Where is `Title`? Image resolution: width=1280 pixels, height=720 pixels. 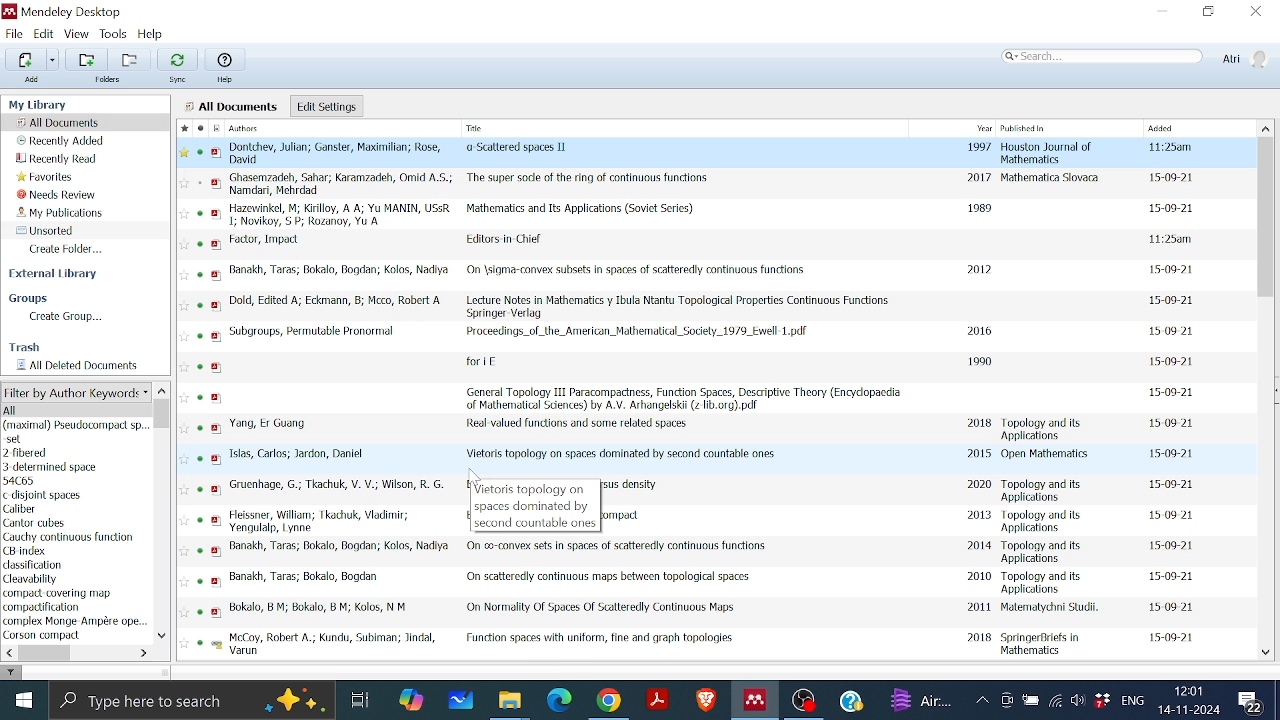
Title is located at coordinates (609, 577).